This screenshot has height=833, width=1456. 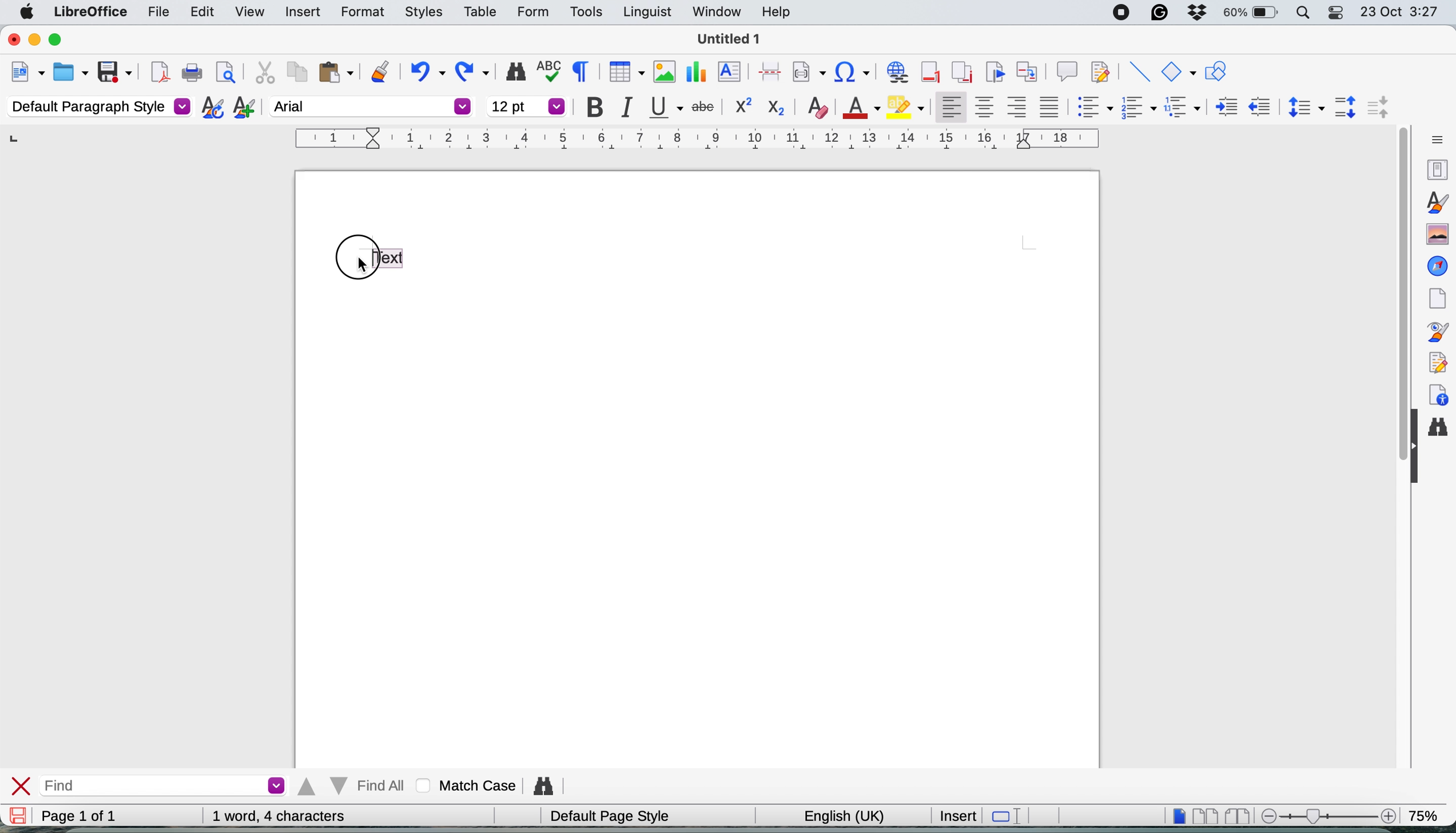 I want to click on basic shapes, so click(x=1179, y=74).